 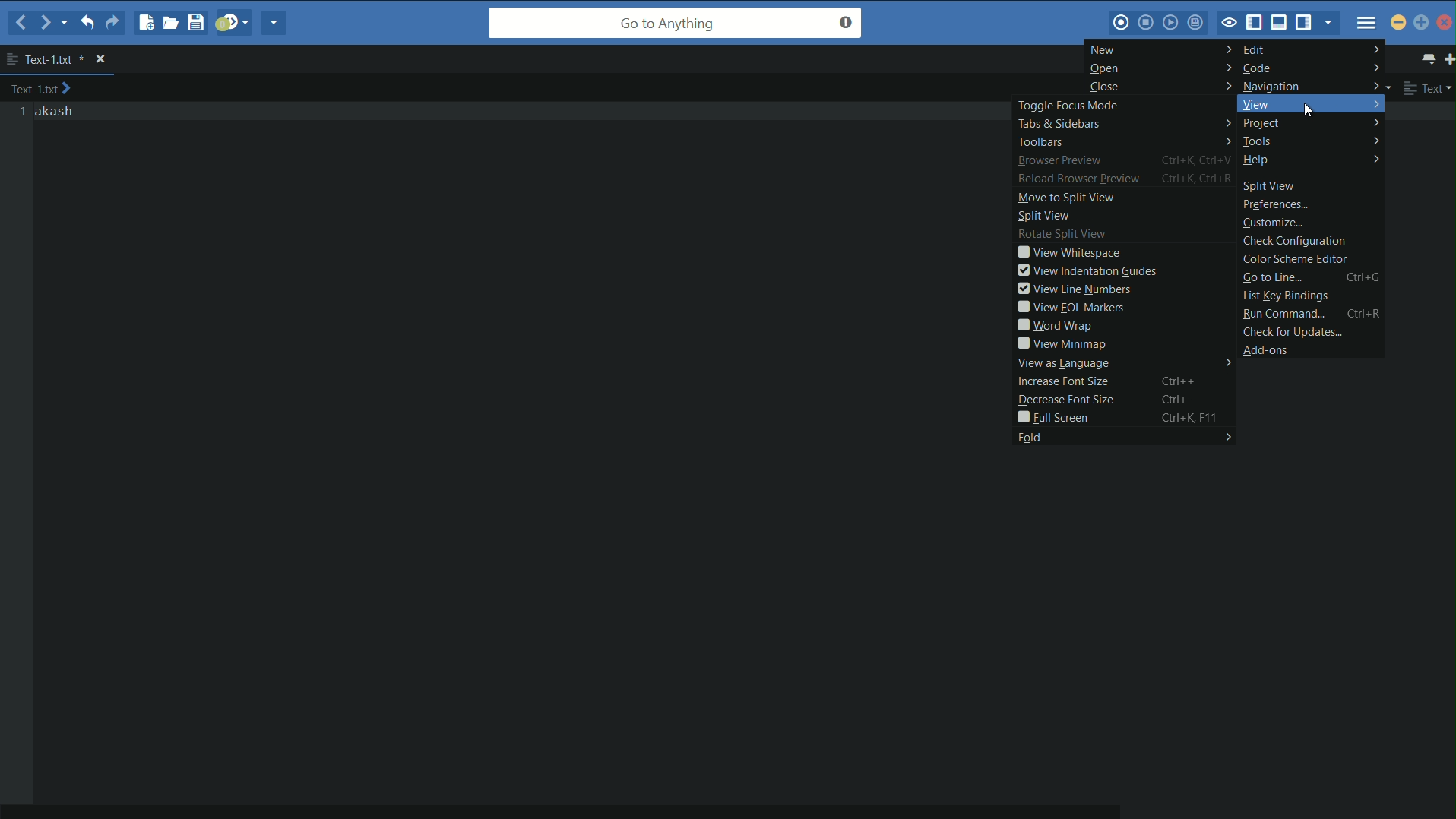 I want to click on open a file, so click(x=172, y=22).